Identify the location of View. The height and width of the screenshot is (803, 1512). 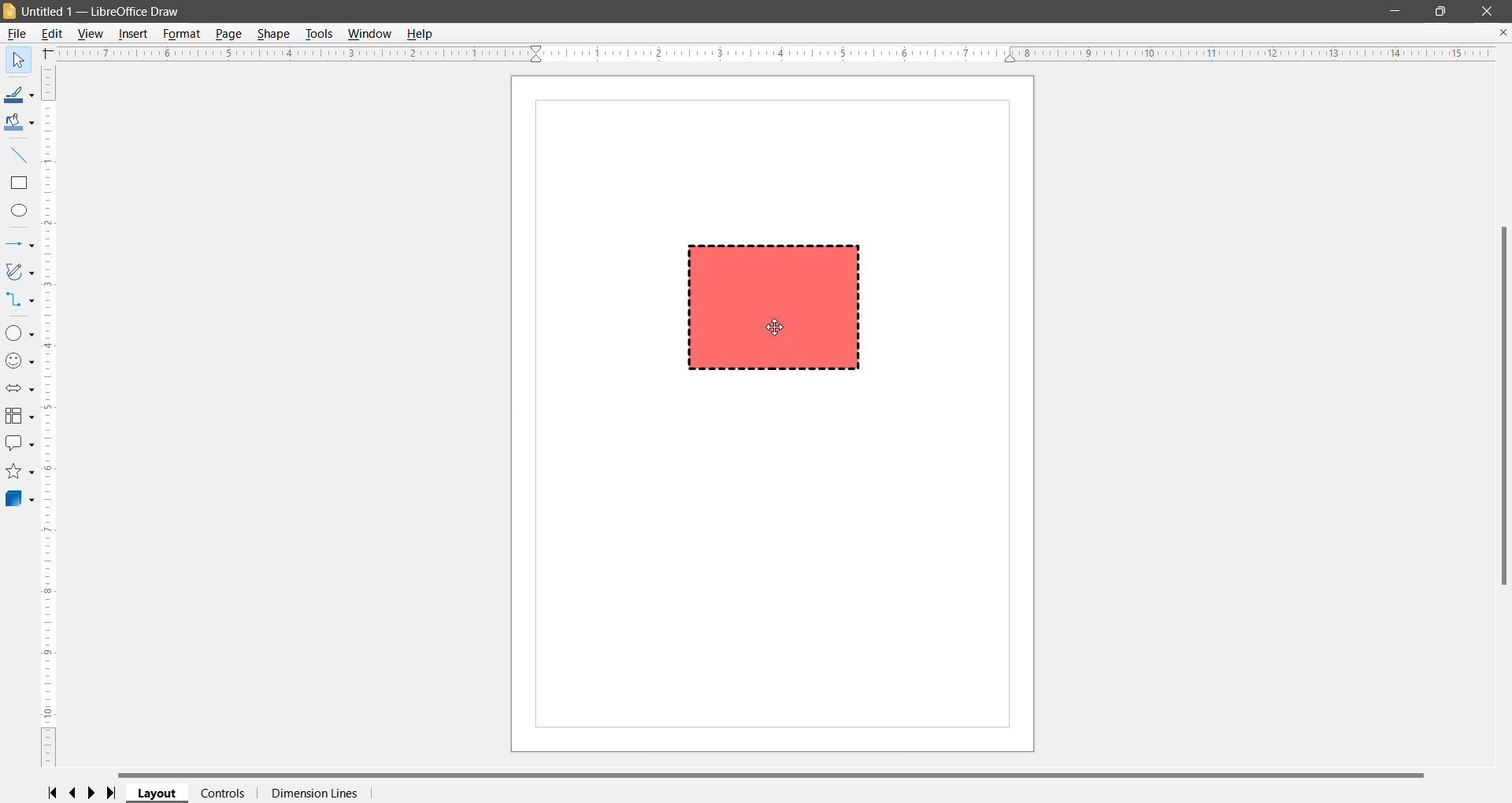
(92, 34).